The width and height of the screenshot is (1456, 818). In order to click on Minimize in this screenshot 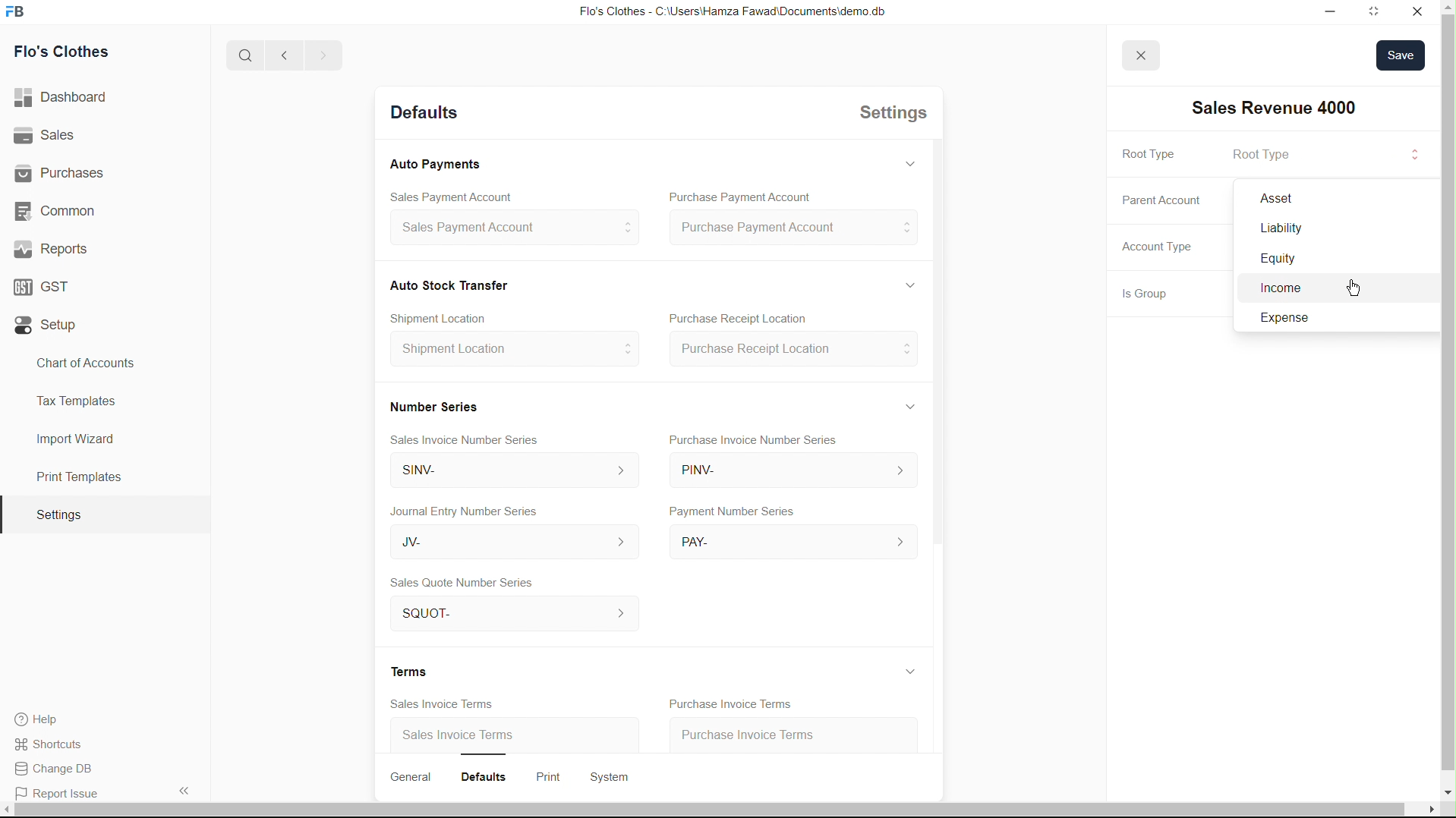, I will do `click(1325, 11)`.